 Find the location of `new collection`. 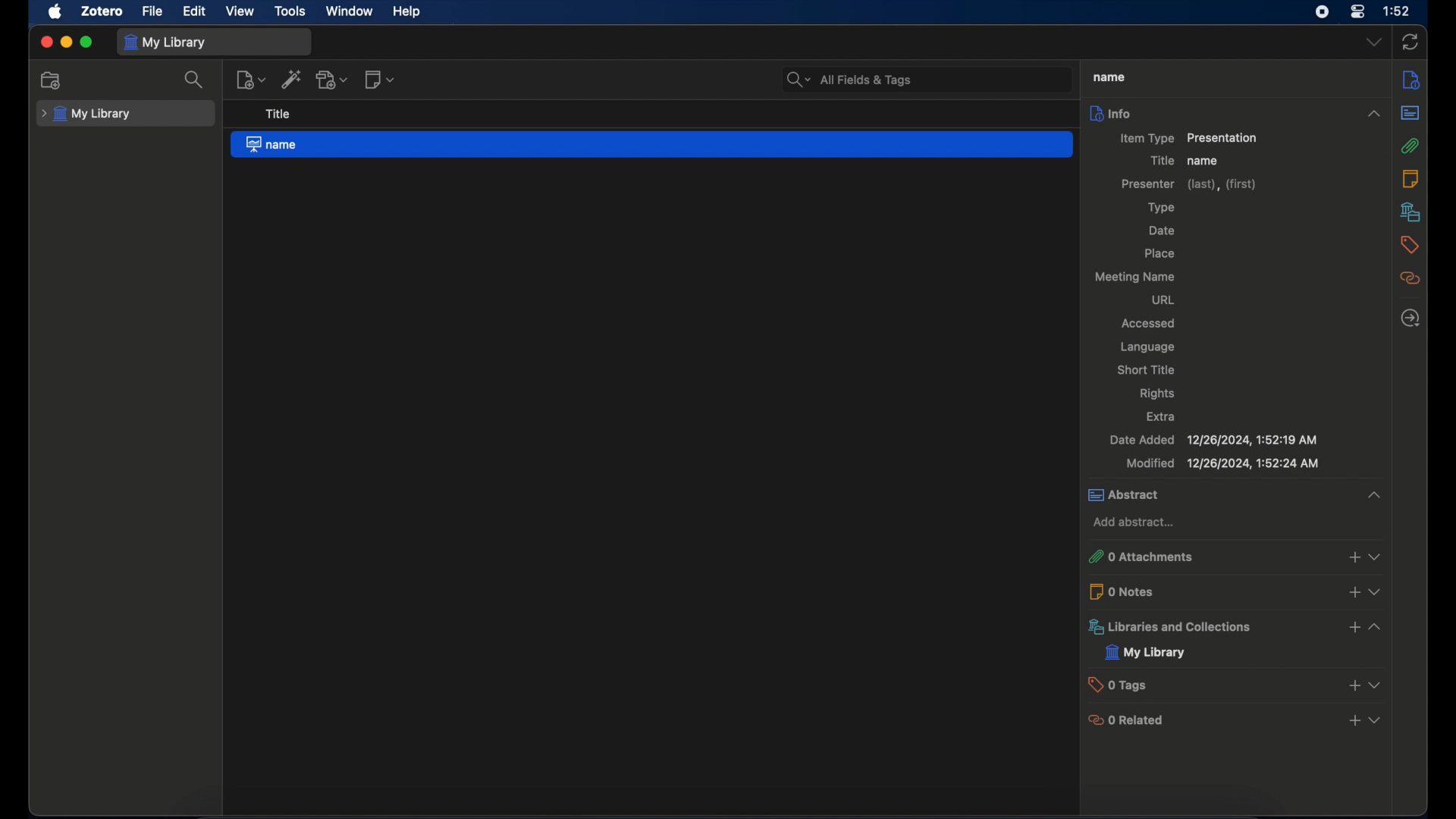

new collection is located at coordinates (52, 80).